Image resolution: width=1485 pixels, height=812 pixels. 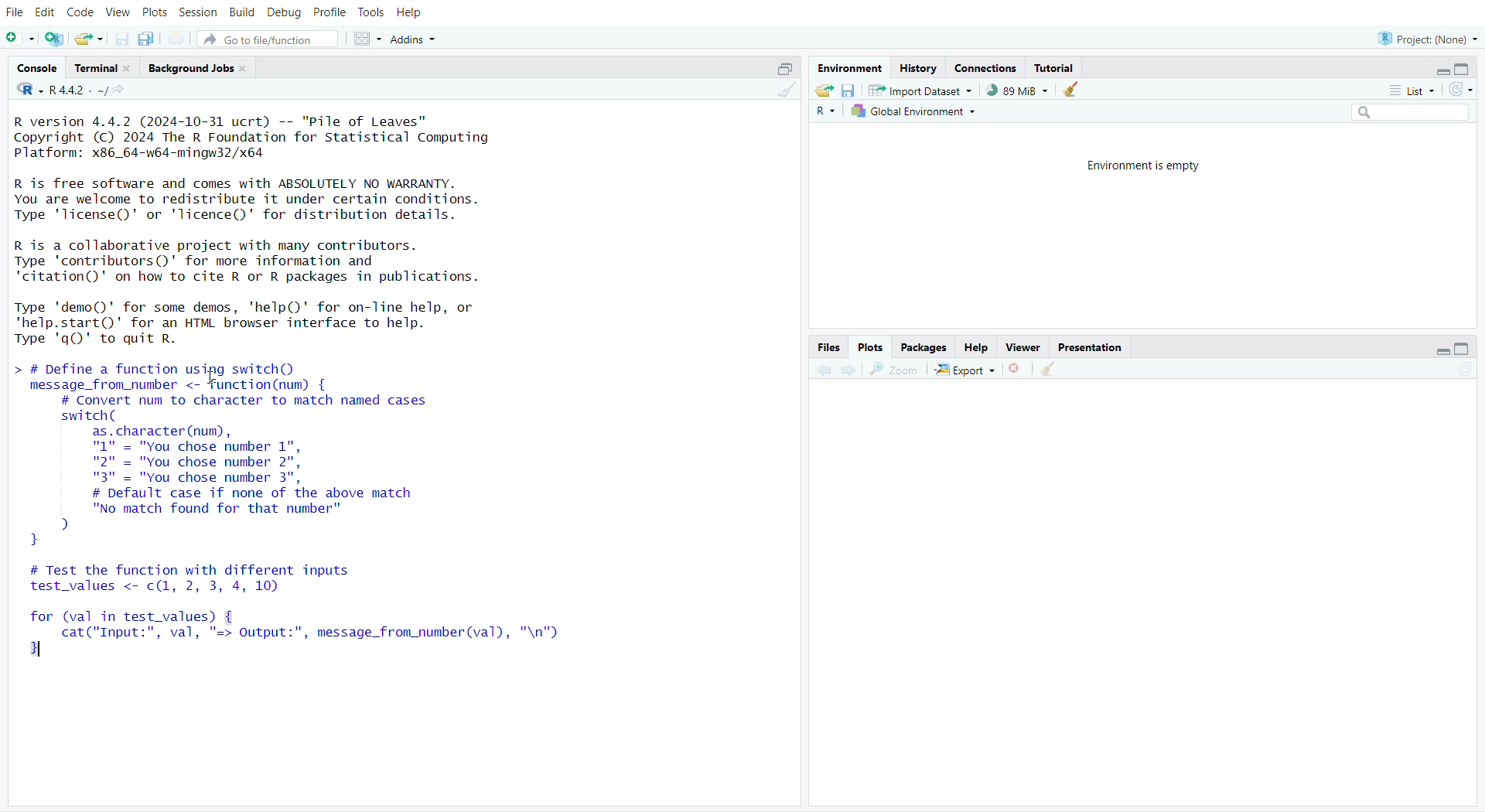 What do you see at coordinates (1138, 163) in the screenshot?
I see `Environment is empty` at bounding box center [1138, 163].